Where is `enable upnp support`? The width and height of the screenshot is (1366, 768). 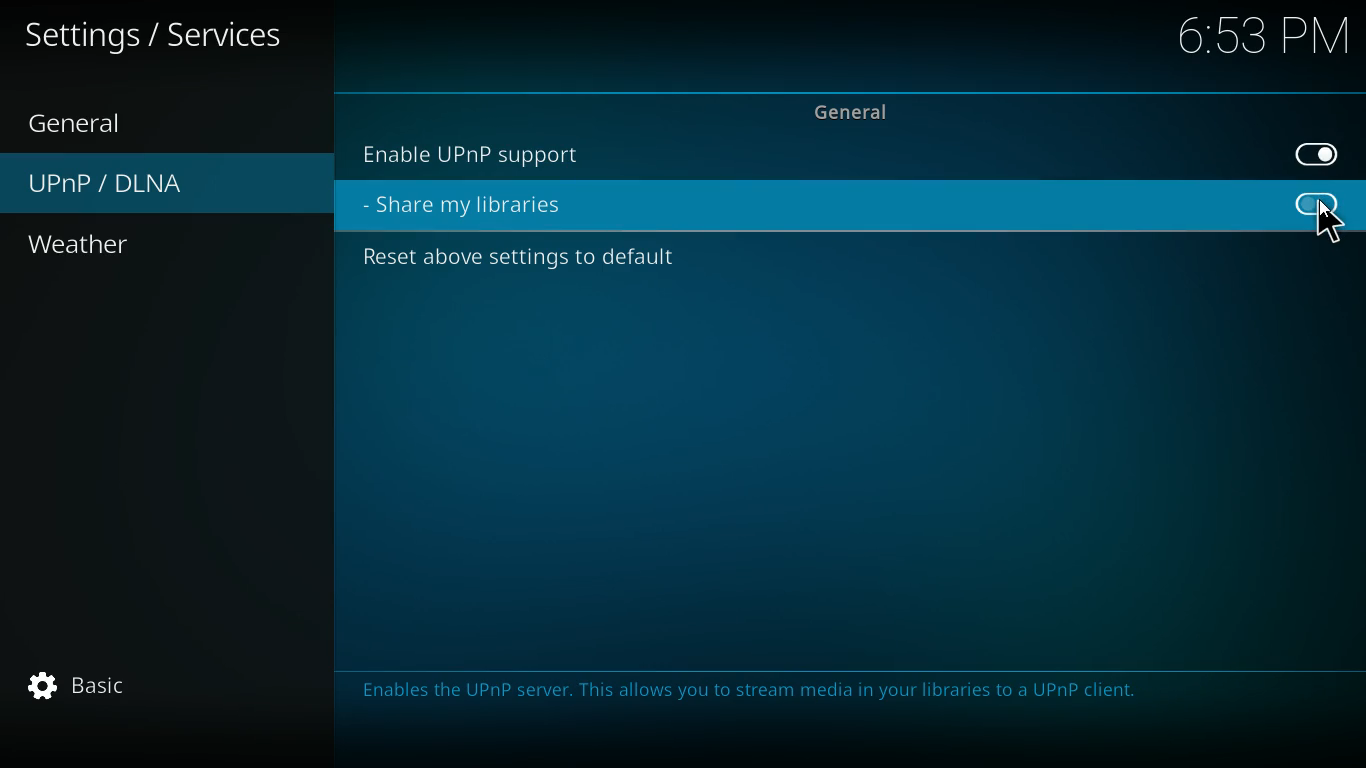
enable upnp support is located at coordinates (496, 152).